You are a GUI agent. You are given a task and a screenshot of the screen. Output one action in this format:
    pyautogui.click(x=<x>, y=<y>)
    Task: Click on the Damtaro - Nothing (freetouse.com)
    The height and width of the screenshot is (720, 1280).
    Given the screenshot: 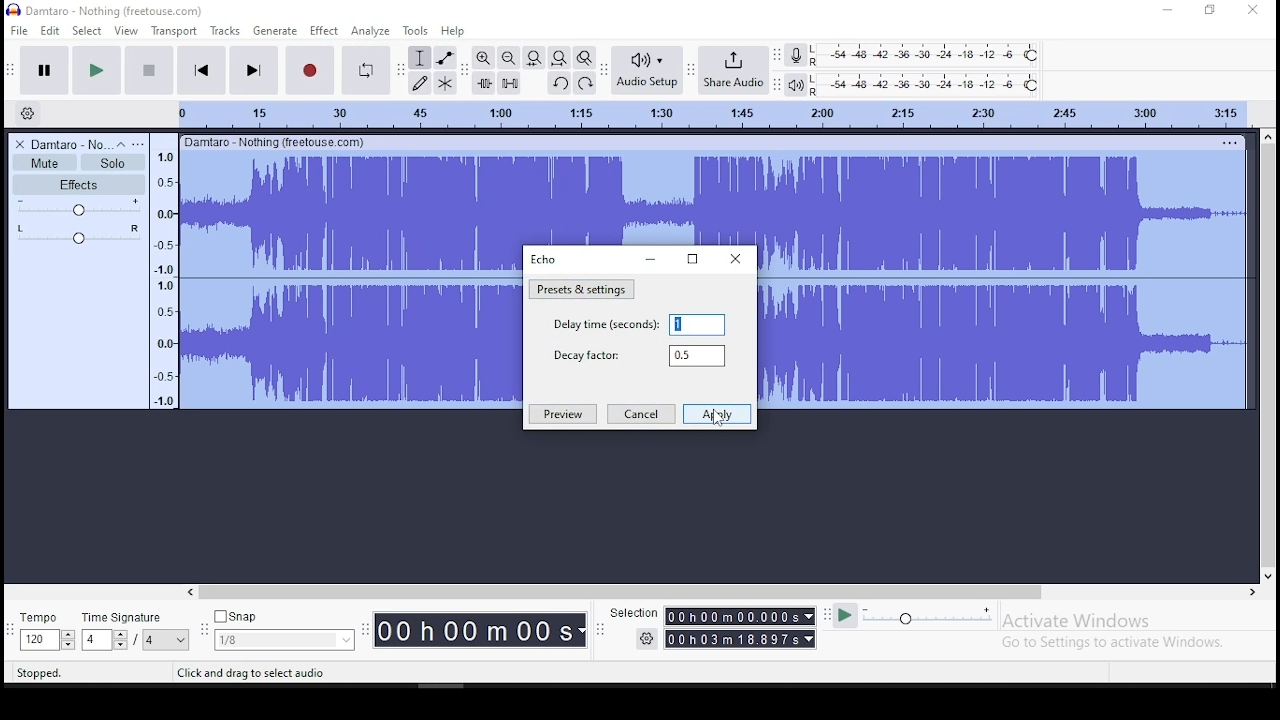 What is the action you would take?
    pyautogui.click(x=104, y=11)
    